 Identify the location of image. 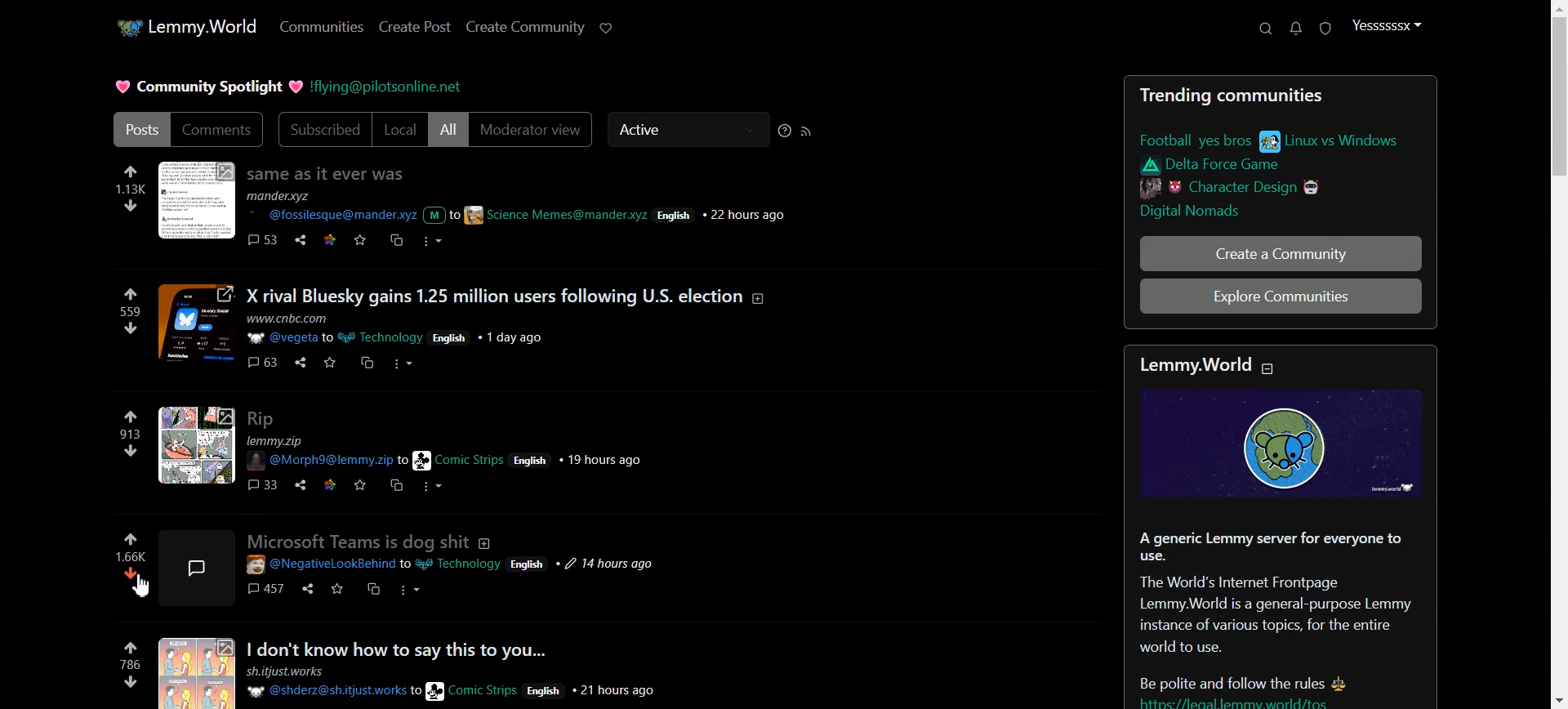
(201, 564).